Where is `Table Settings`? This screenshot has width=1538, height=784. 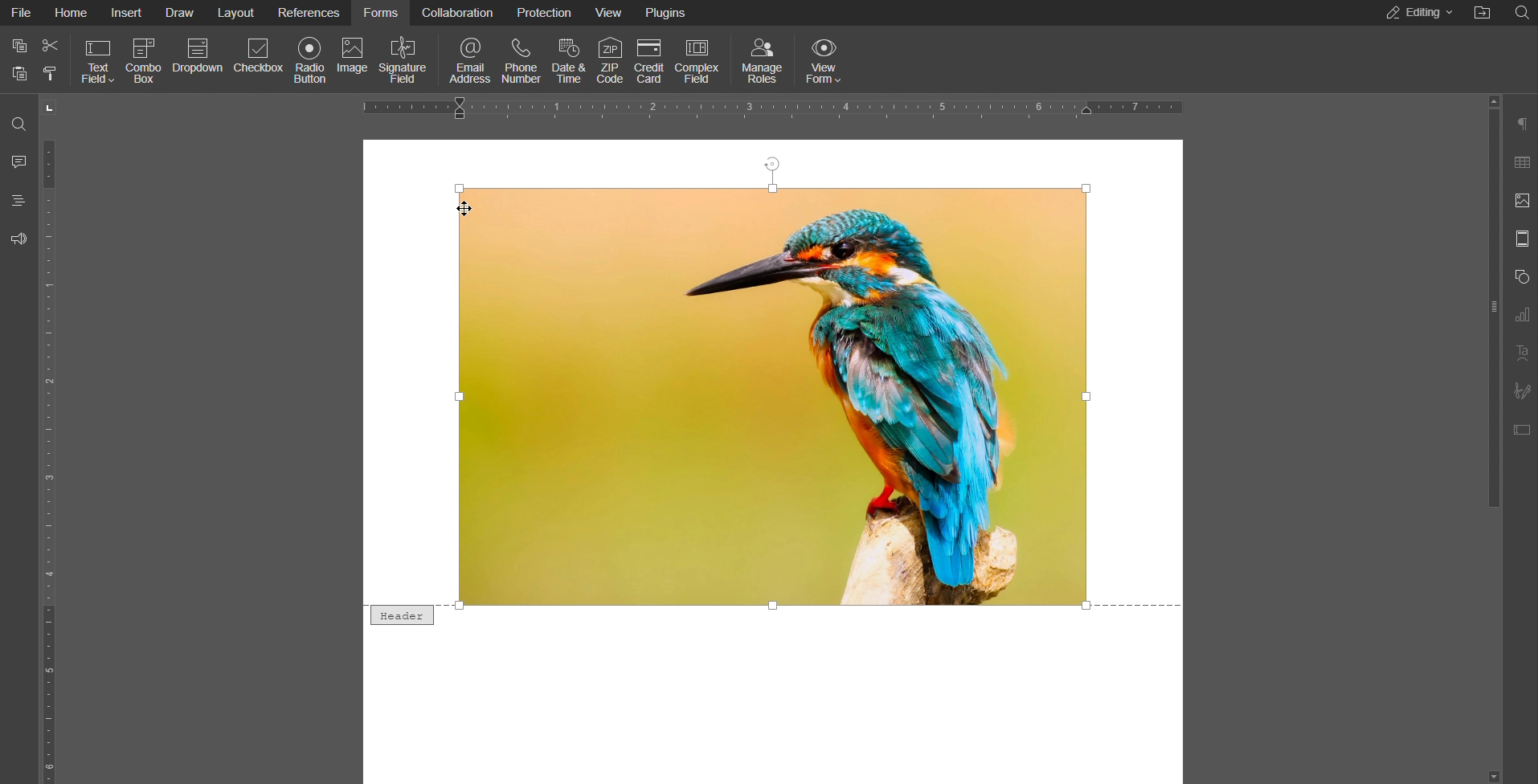
Table Settings is located at coordinates (1519, 162).